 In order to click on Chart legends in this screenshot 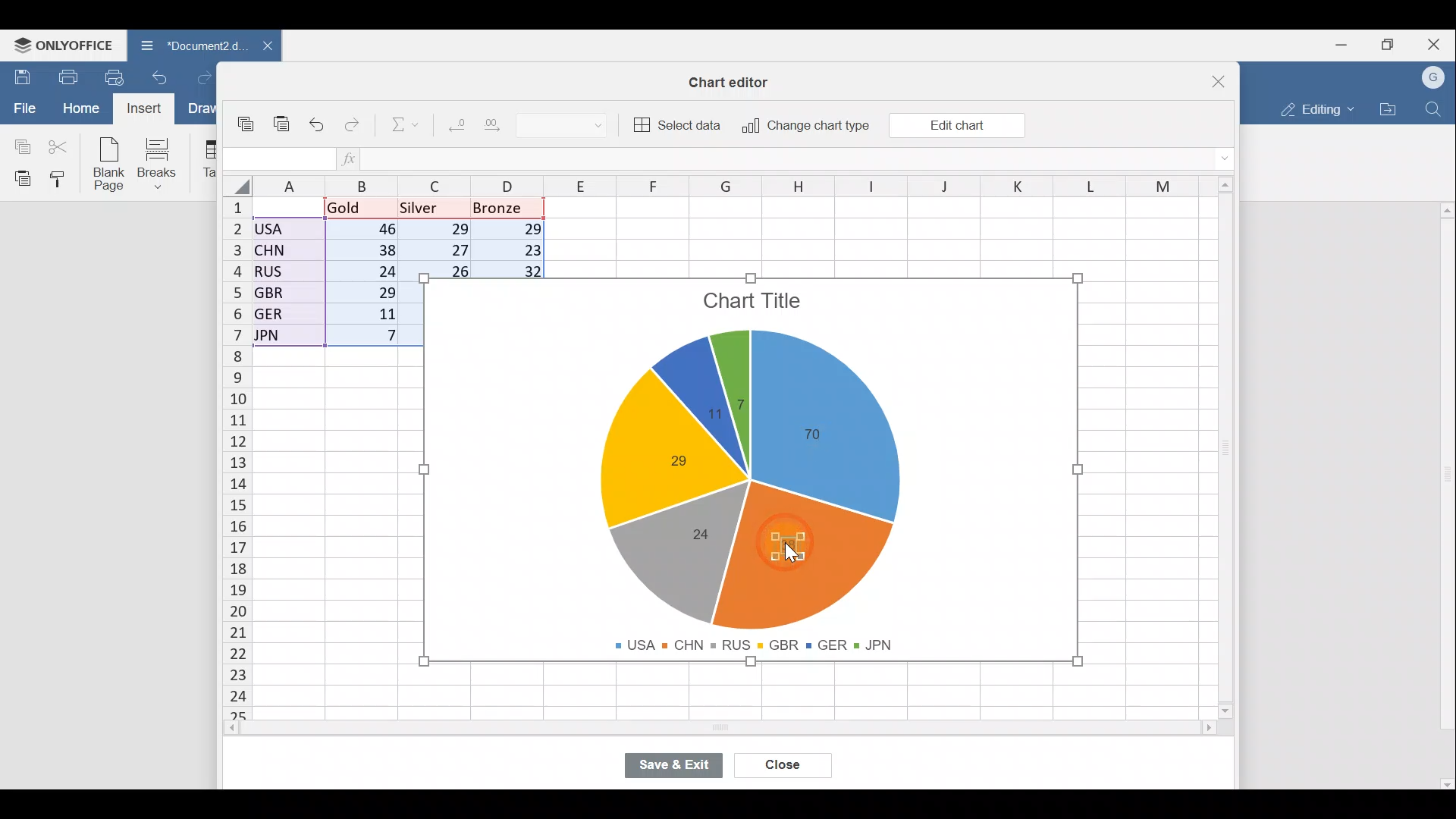, I will do `click(761, 642)`.